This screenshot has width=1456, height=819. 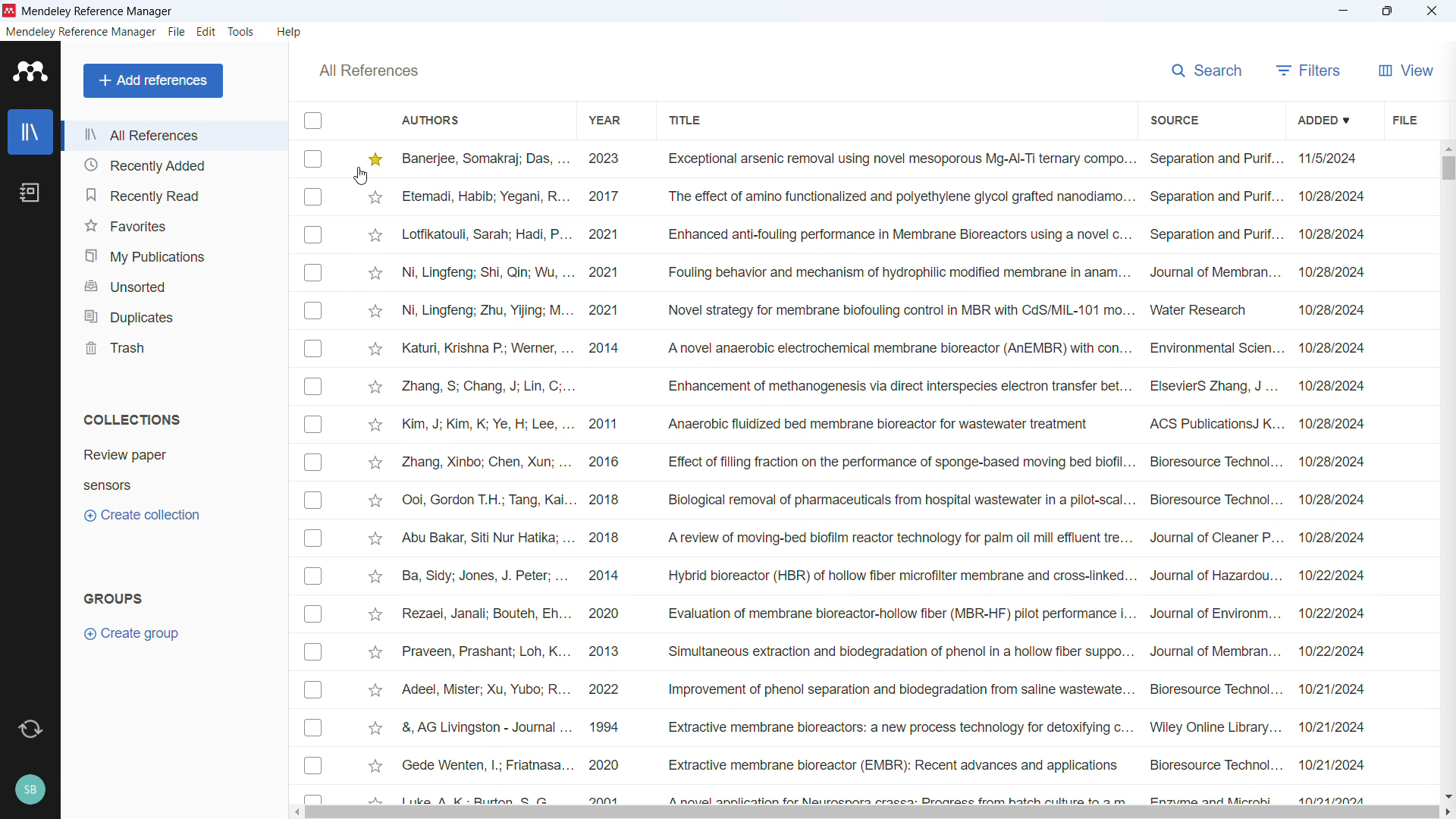 I want to click on Profile , so click(x=31, y=789).